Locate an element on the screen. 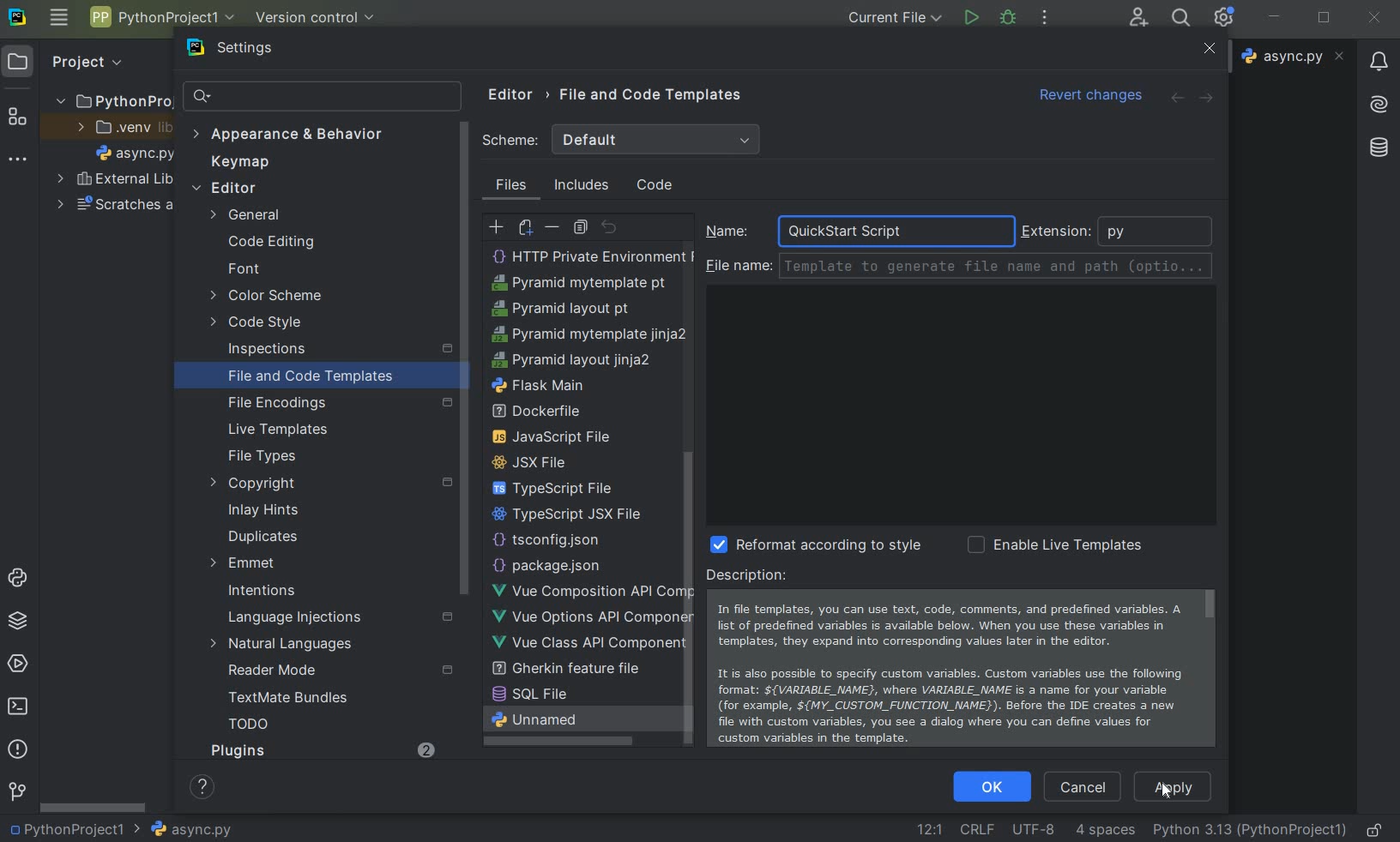 The image size is (1400, 842). create template is located at coordinates (497, 228).